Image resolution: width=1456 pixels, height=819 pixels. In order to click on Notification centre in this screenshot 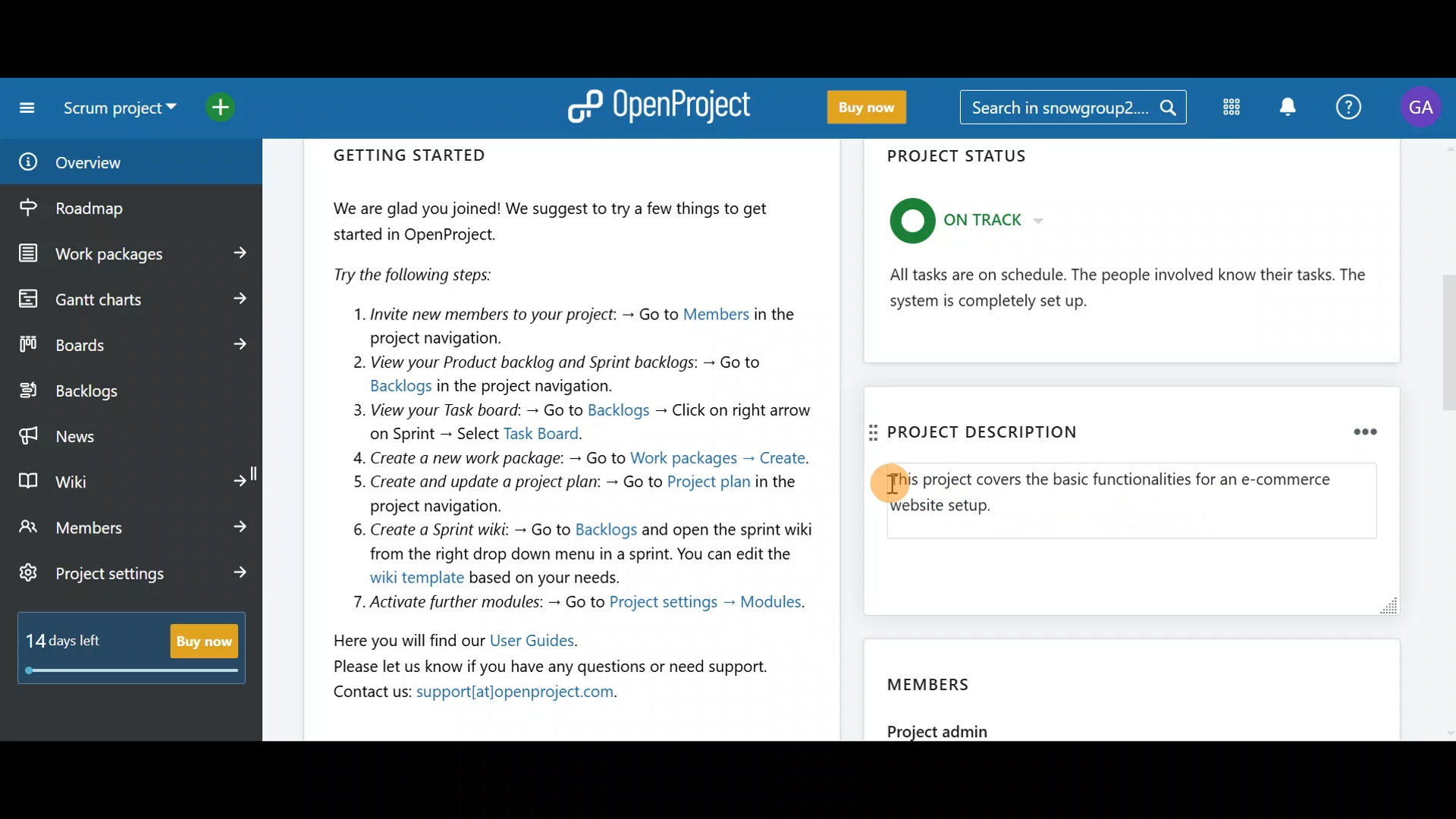, I will do `click(1284, 106)`.